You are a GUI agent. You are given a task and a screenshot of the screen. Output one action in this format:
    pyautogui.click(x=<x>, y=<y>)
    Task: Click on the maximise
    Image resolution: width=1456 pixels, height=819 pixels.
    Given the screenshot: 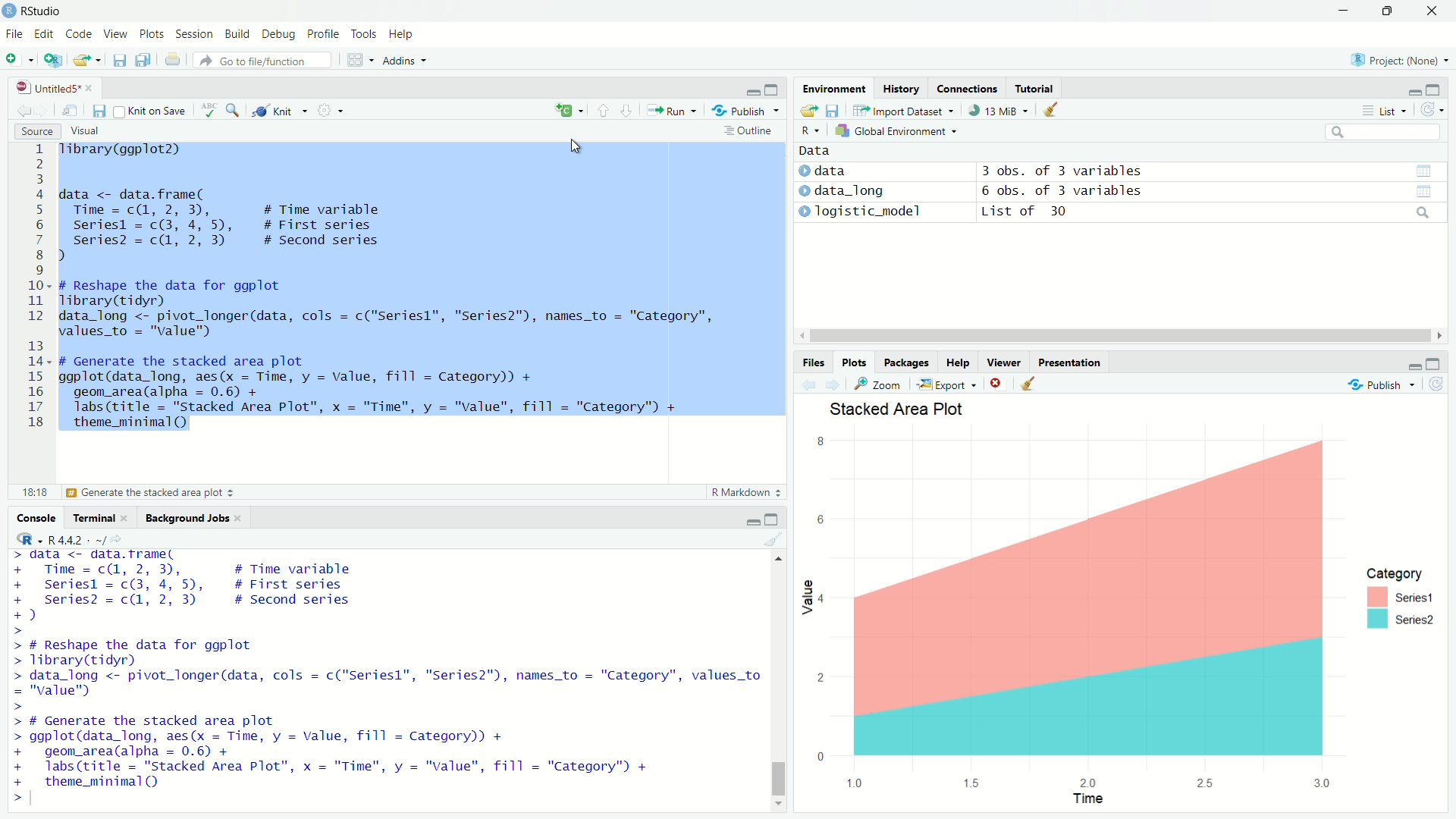 What is the action you would take?
    pyautogui.click(x=775, y=87)
    